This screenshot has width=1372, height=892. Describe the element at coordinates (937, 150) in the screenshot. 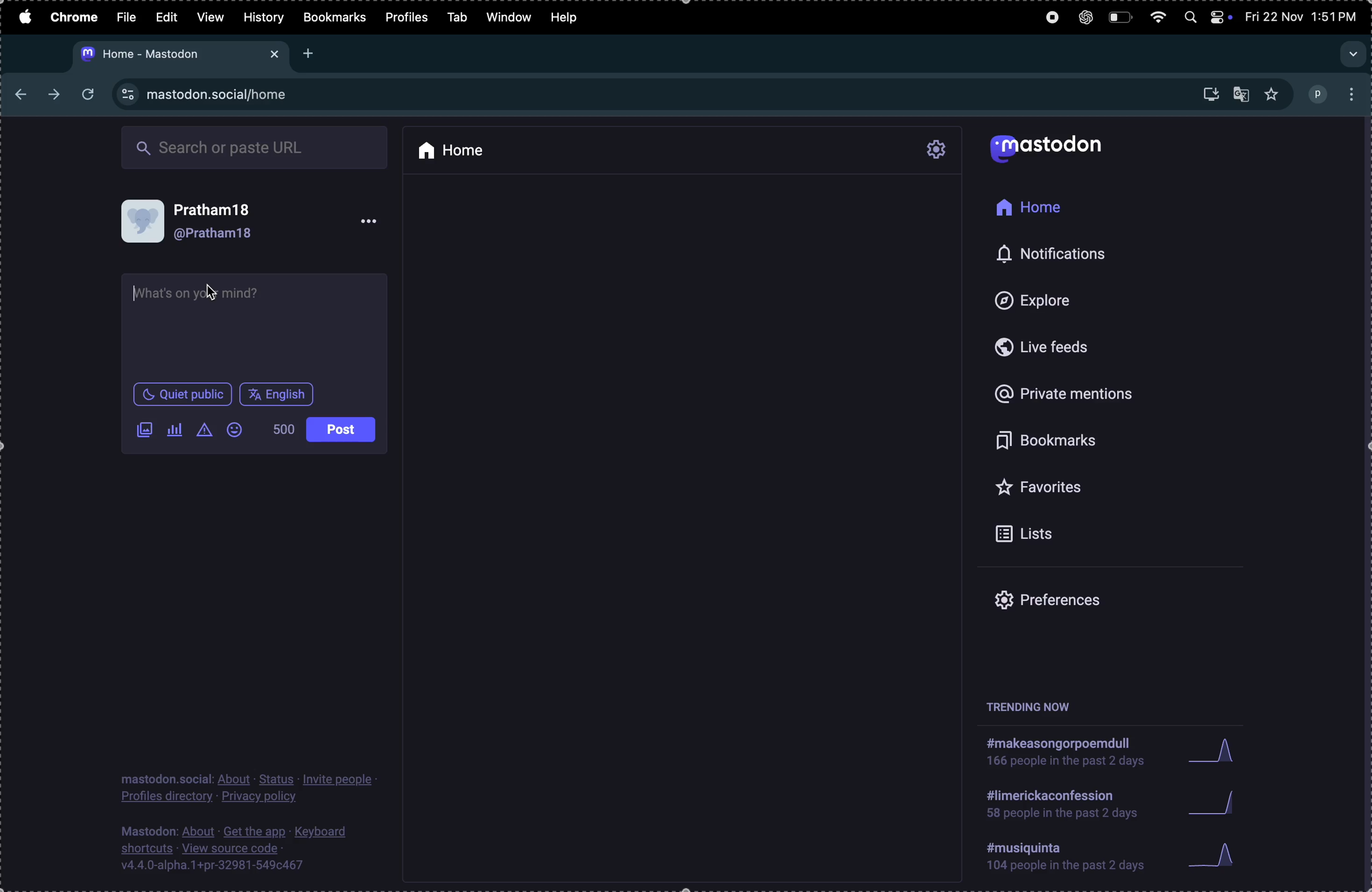

I see `settings` at that location.